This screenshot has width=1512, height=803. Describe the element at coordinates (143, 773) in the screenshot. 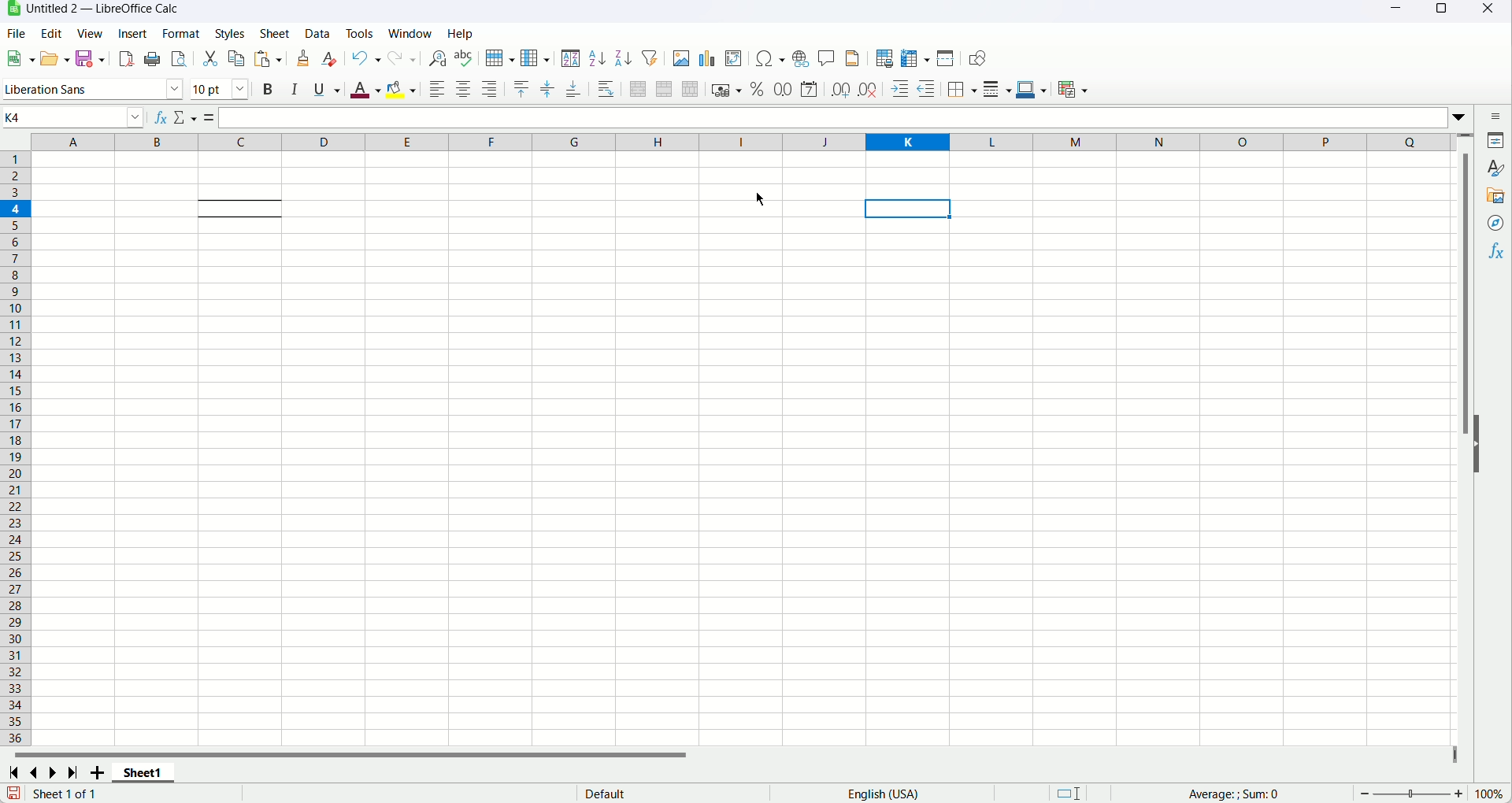

I see `Sheet name` at that location.